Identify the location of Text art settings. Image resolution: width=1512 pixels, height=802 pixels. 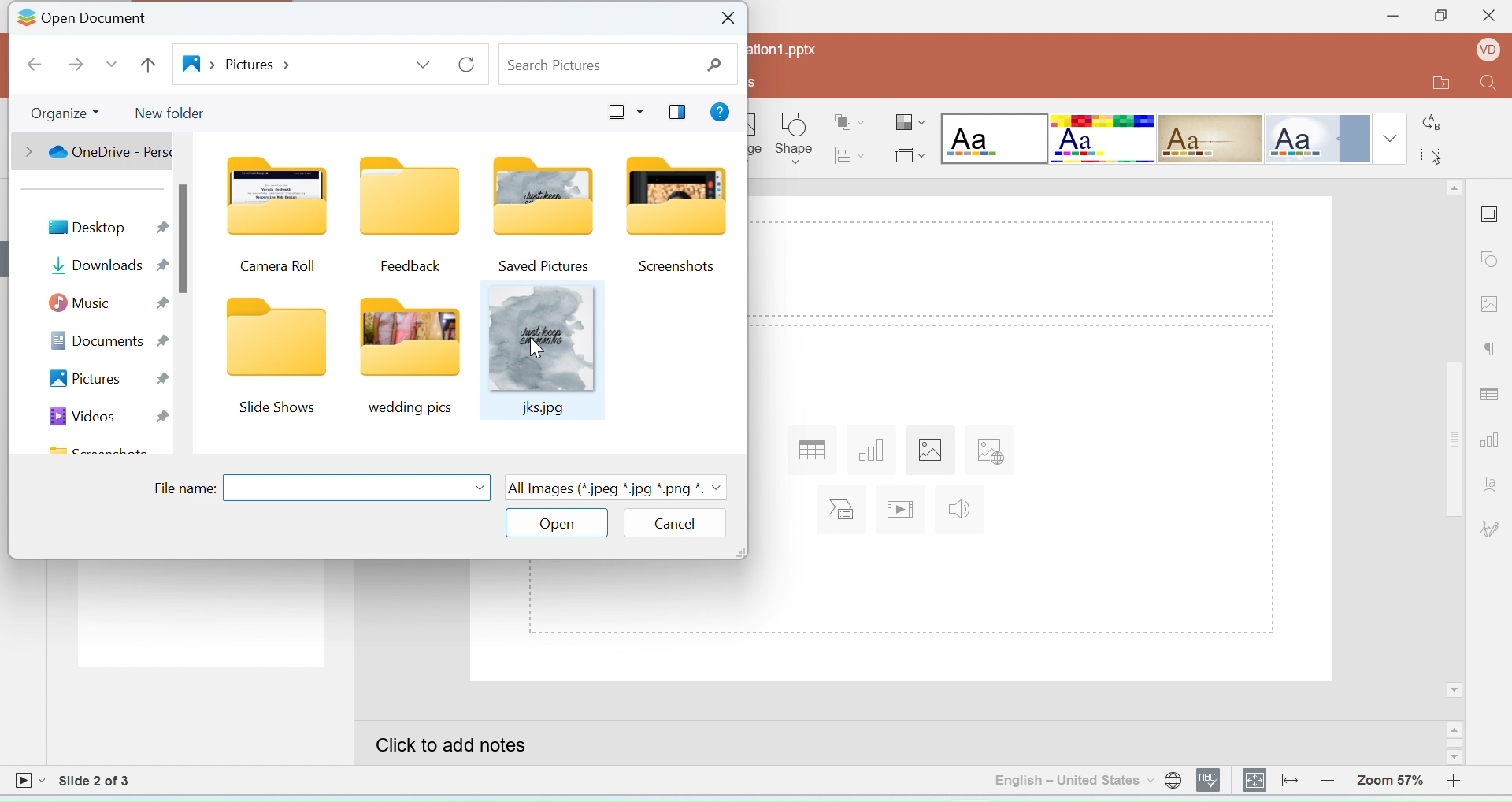
(1490, 483).